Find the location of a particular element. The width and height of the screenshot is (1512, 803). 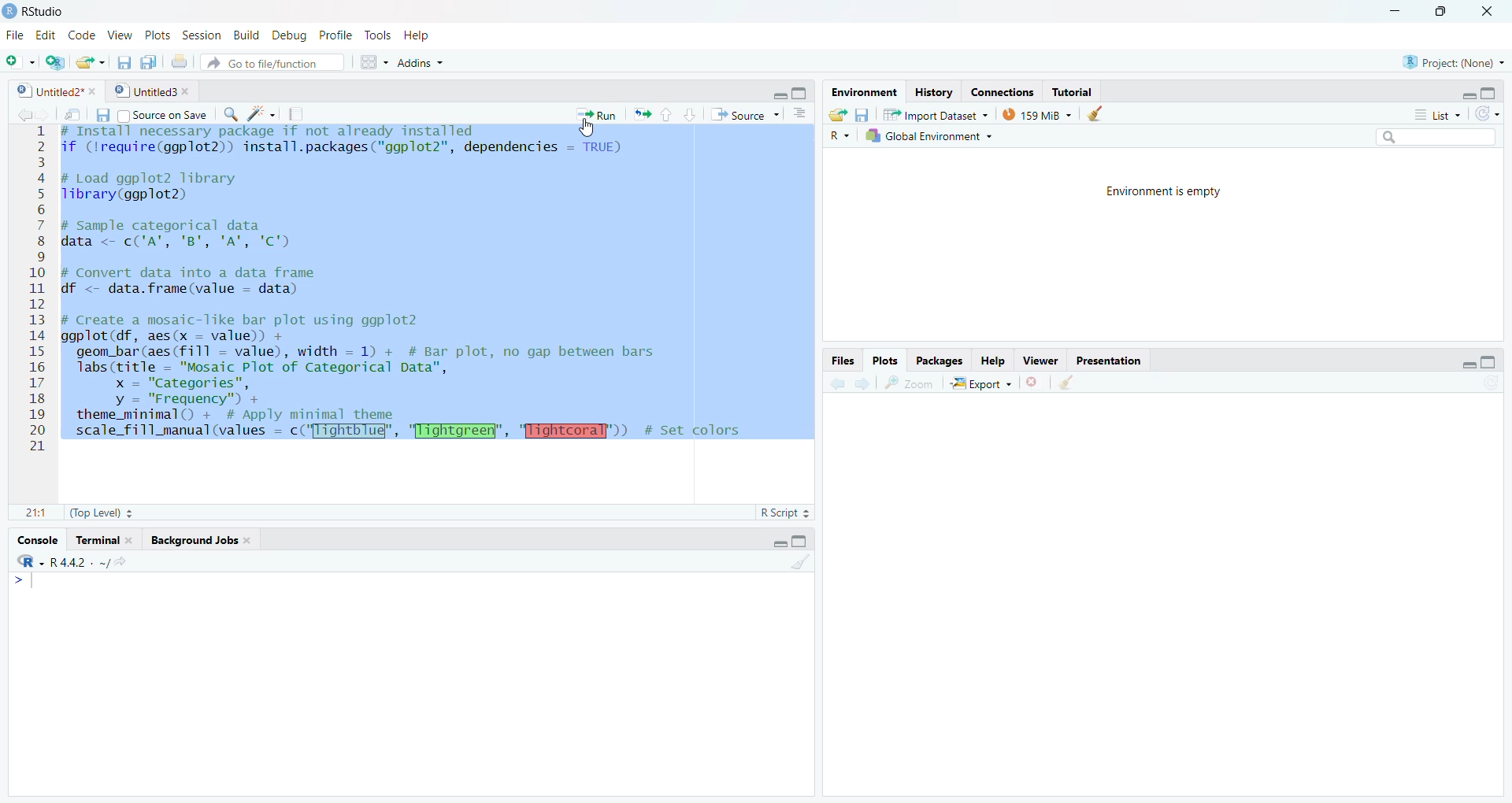

RStudio is located at coordinates (38, 12).